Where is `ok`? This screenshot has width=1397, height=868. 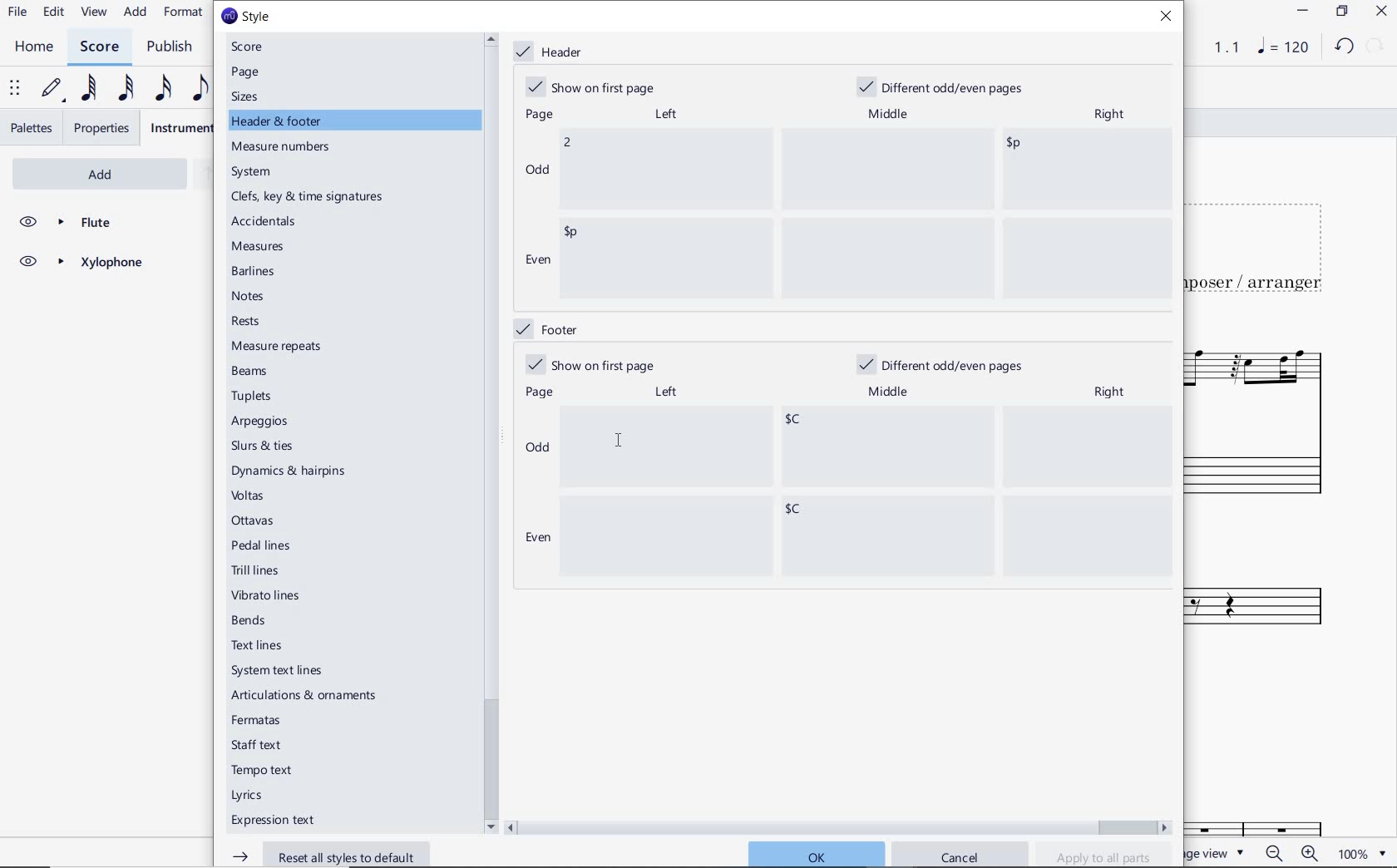
ok is located at coordinates (815, 853).